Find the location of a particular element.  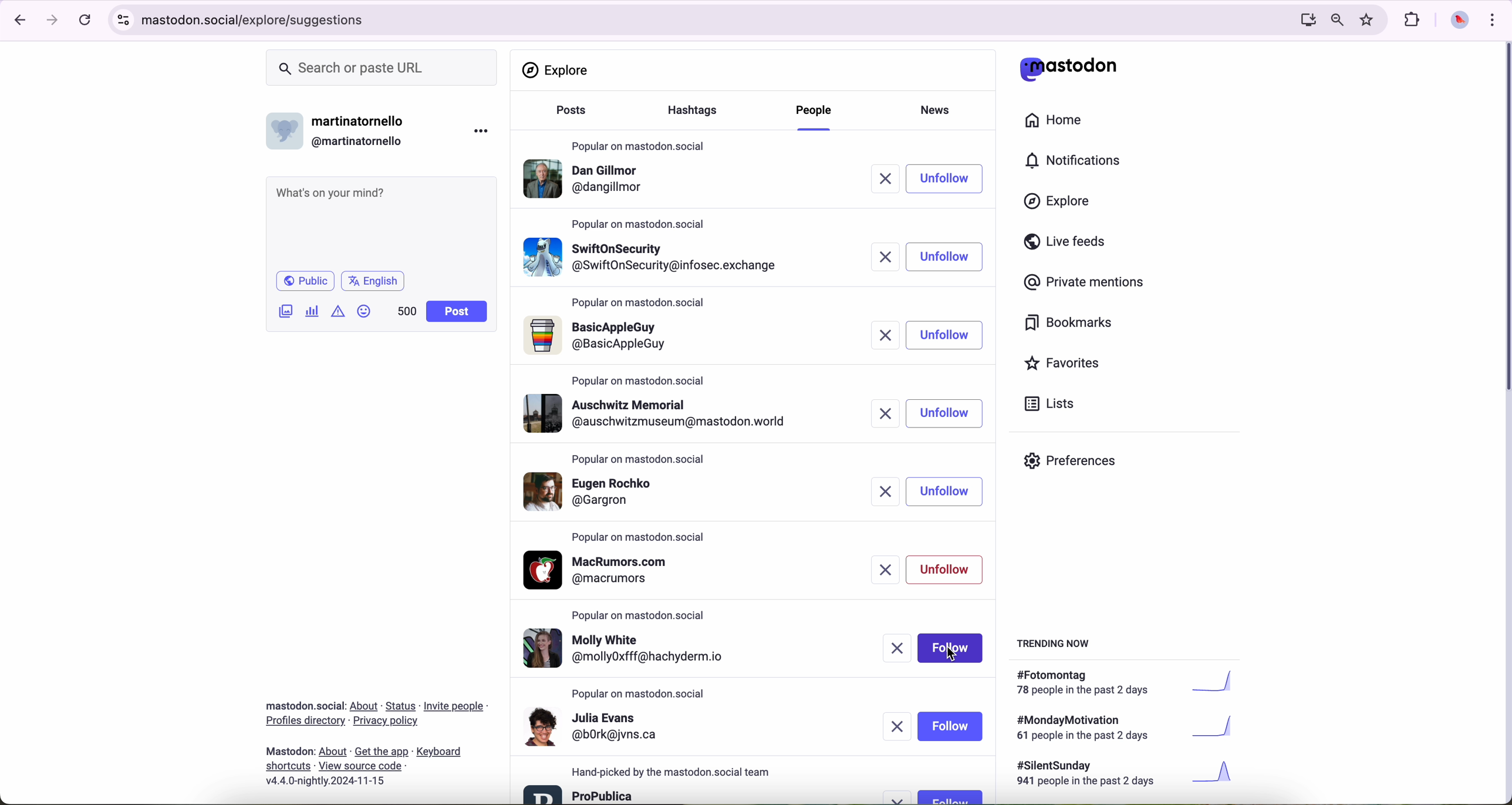

unfollow is located at coordinates (947, 570).